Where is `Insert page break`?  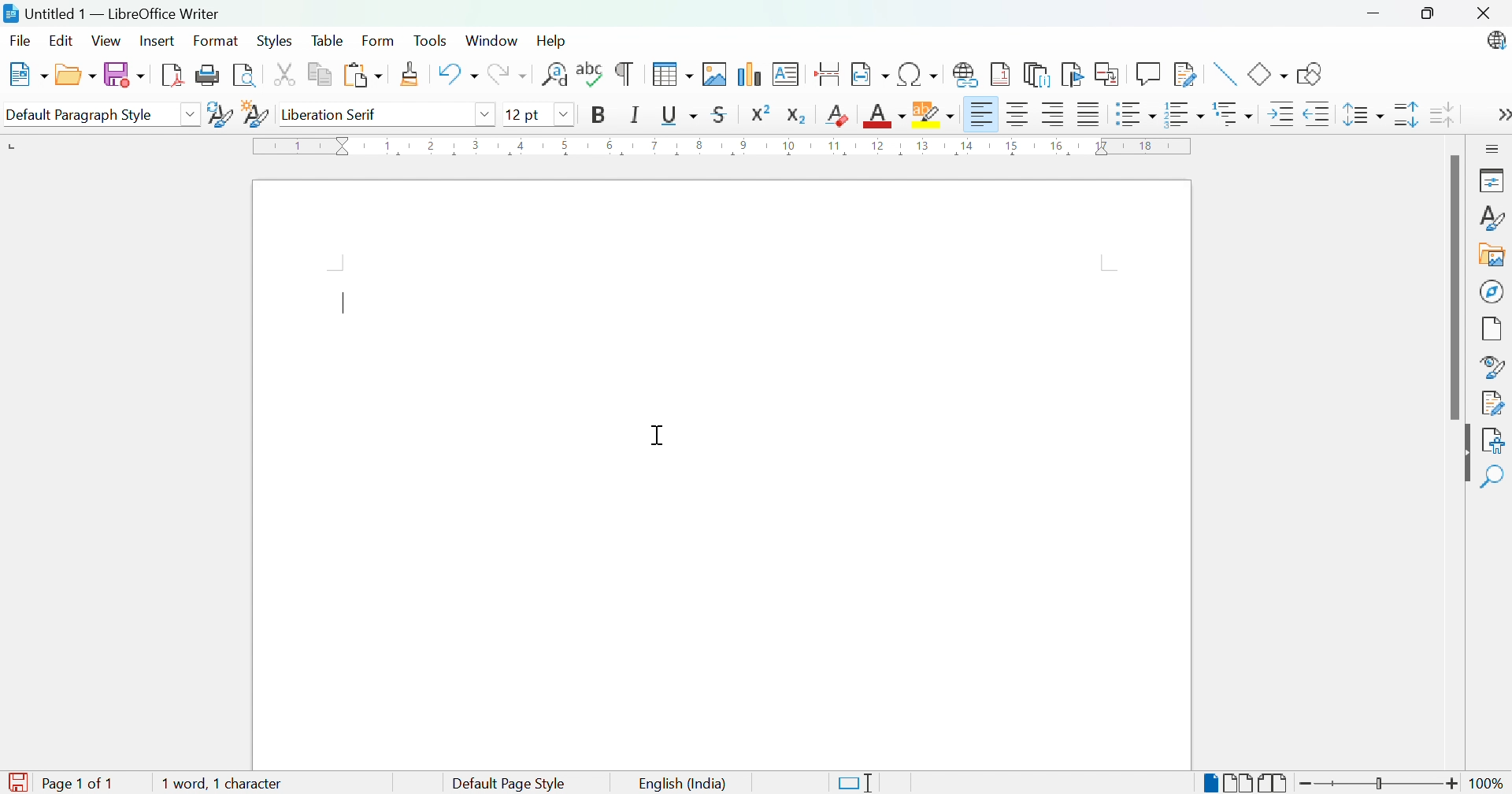
Insert page break is located at coordinates (829, 74).